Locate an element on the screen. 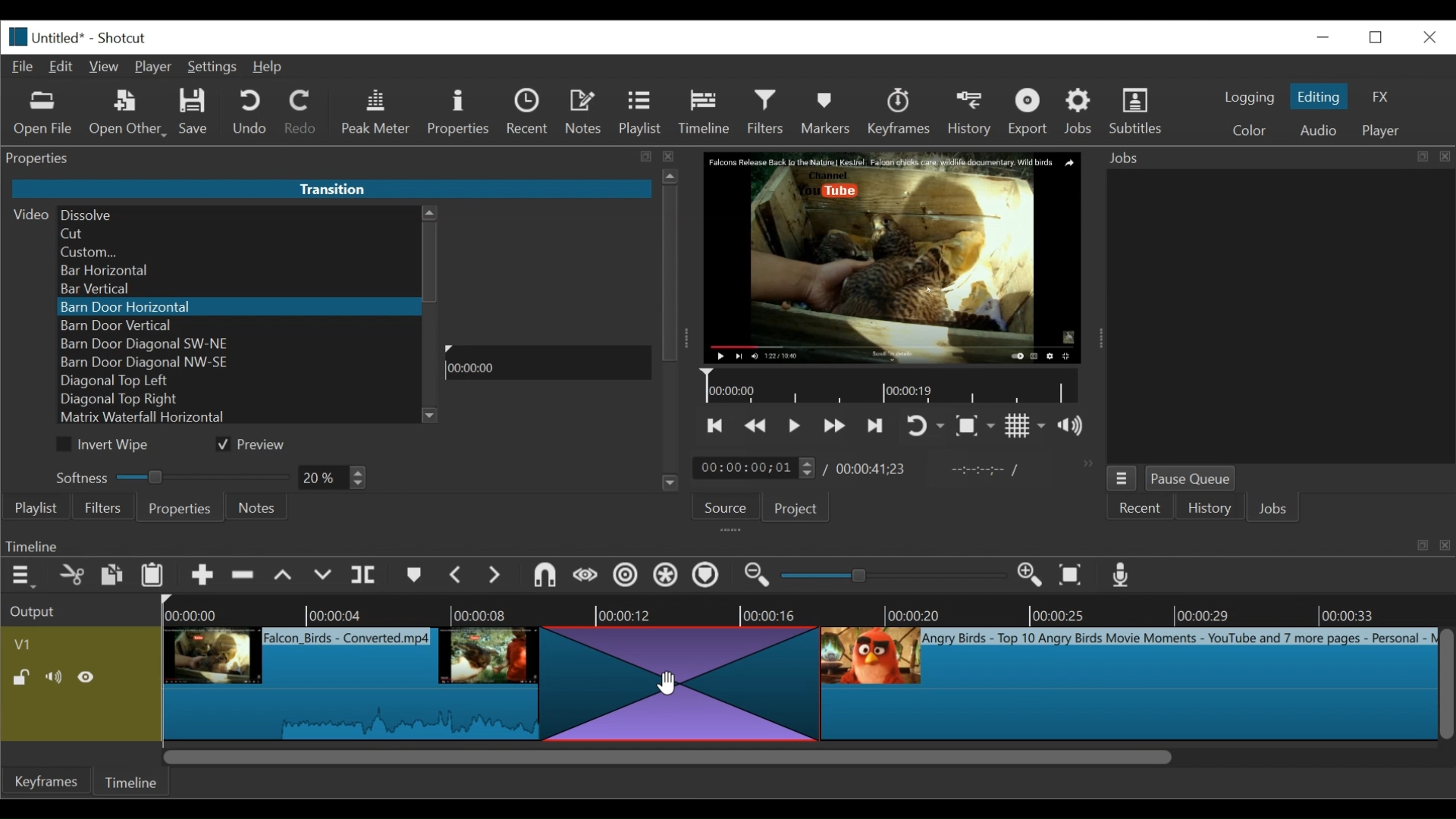  Horizontal scroll bar is located at coordinates (666, 755).